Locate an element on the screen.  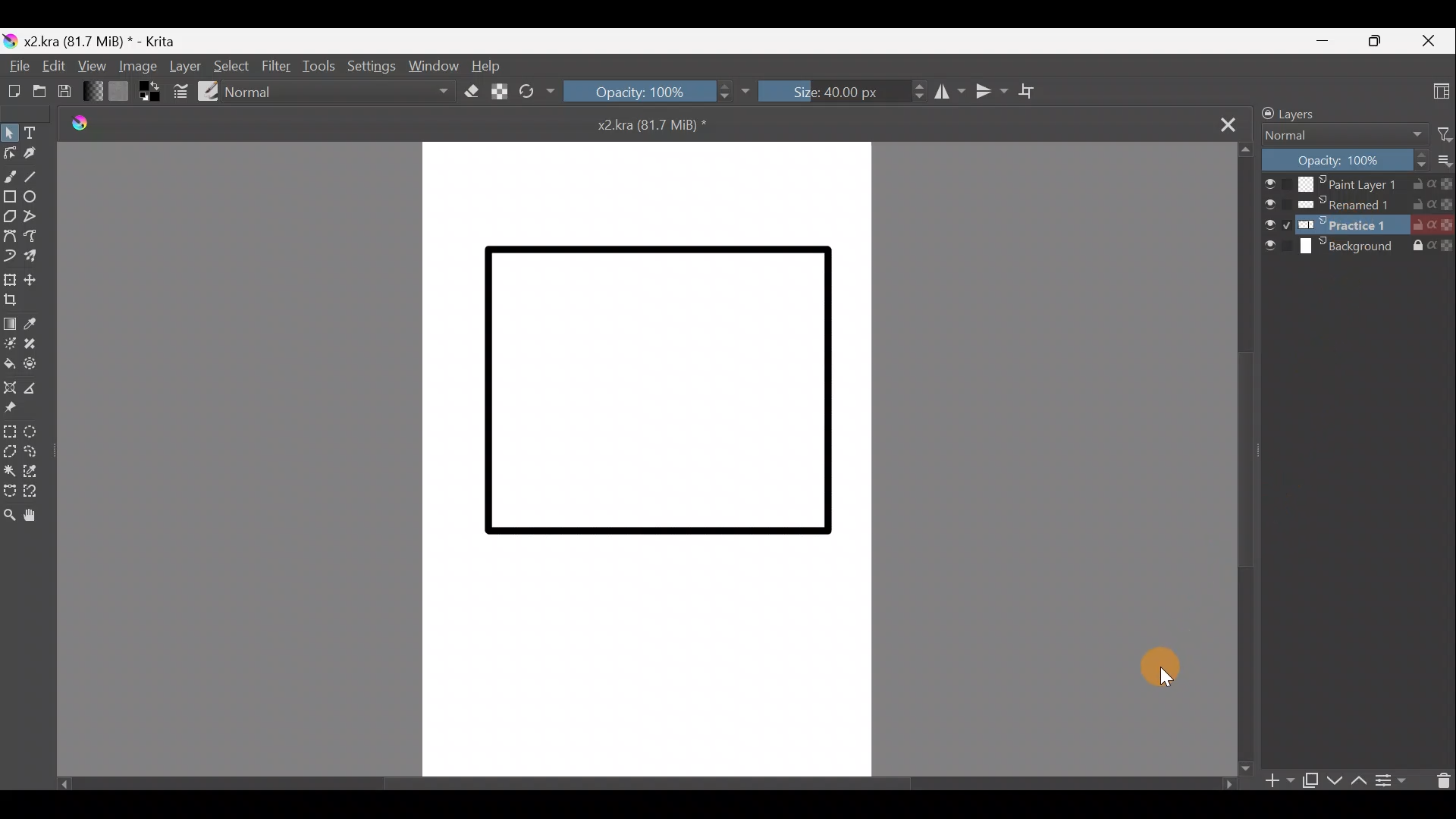
Image is located at coordinates (134, 65).